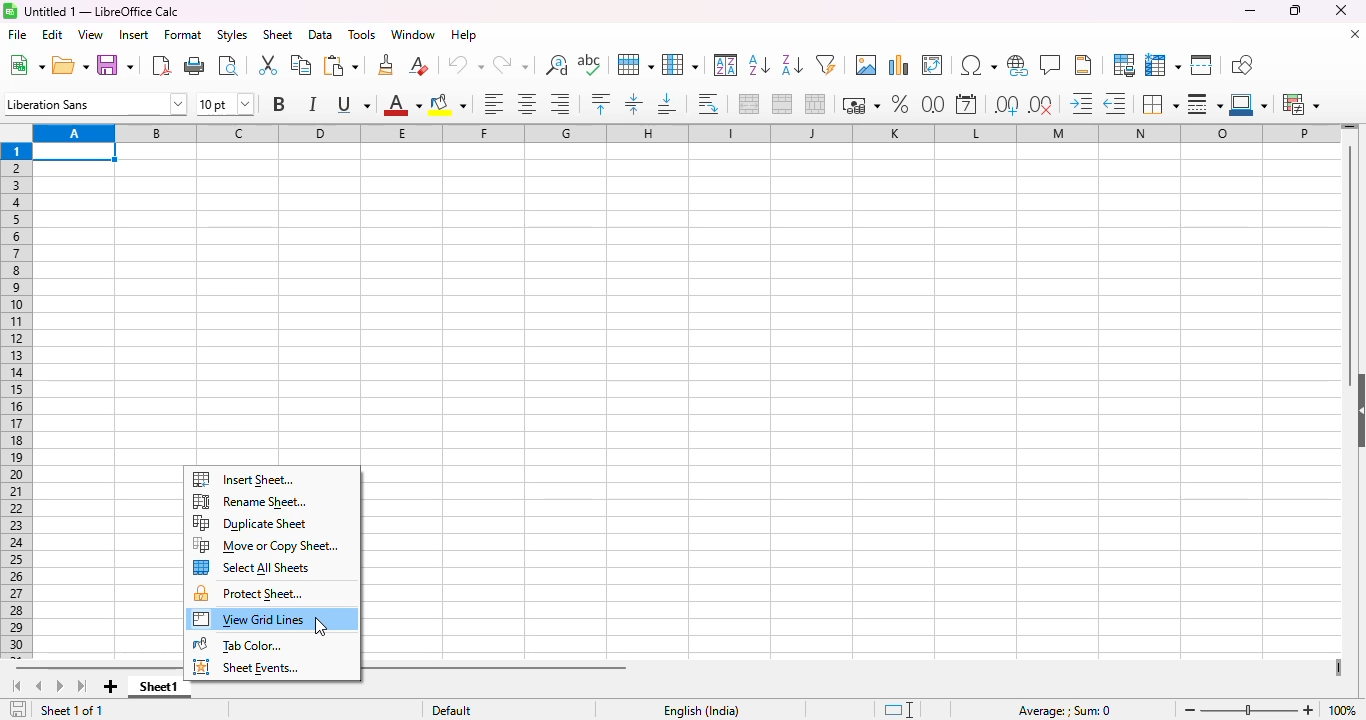 This screenshot has width=1366, height=720. Describe the element at coordinates (1160, 104) in the screenshot. I see `borders` at that location.